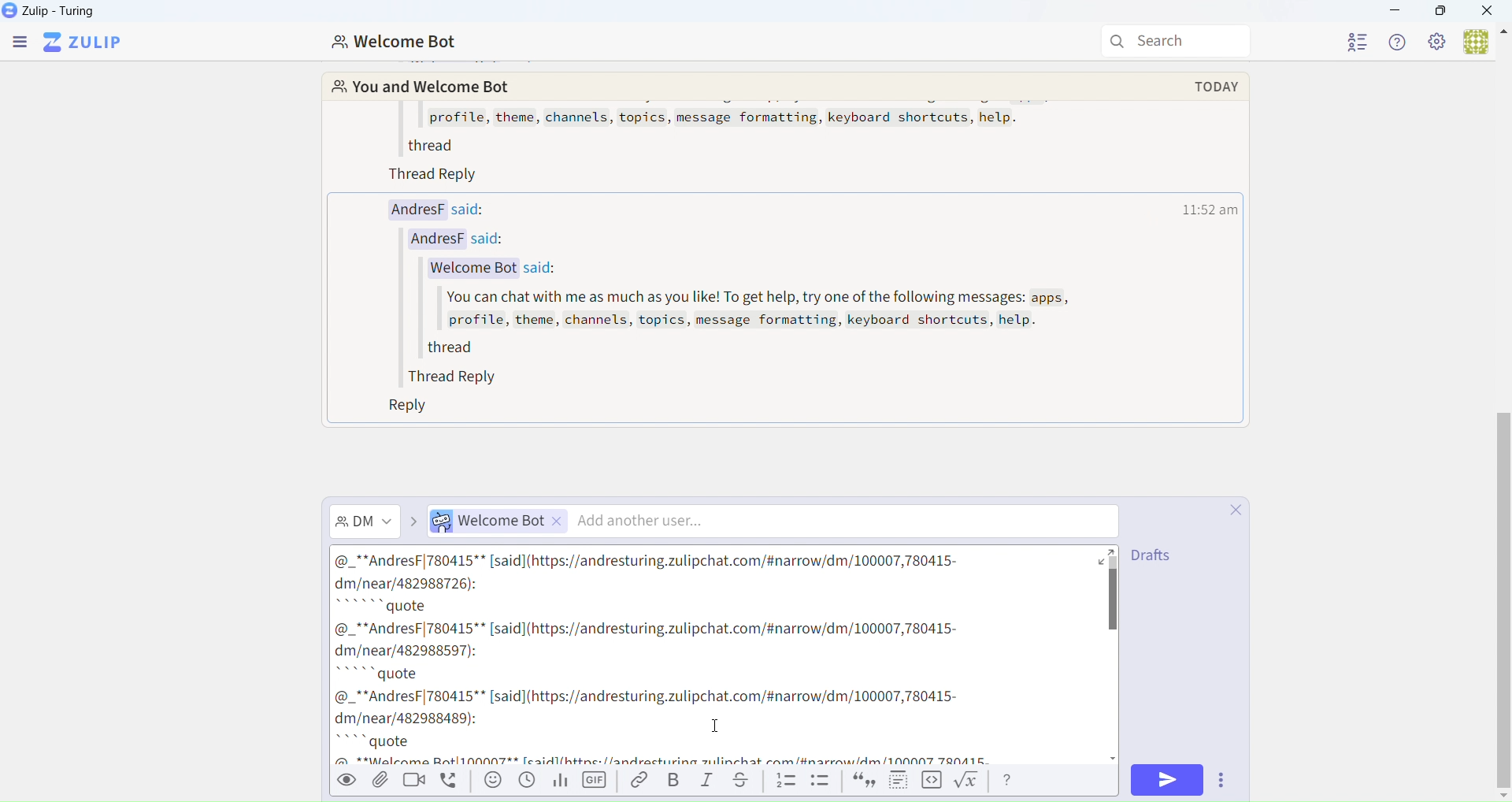 This screenshot has height=802, width=1512. I want to click on help, so click(1010, 781).